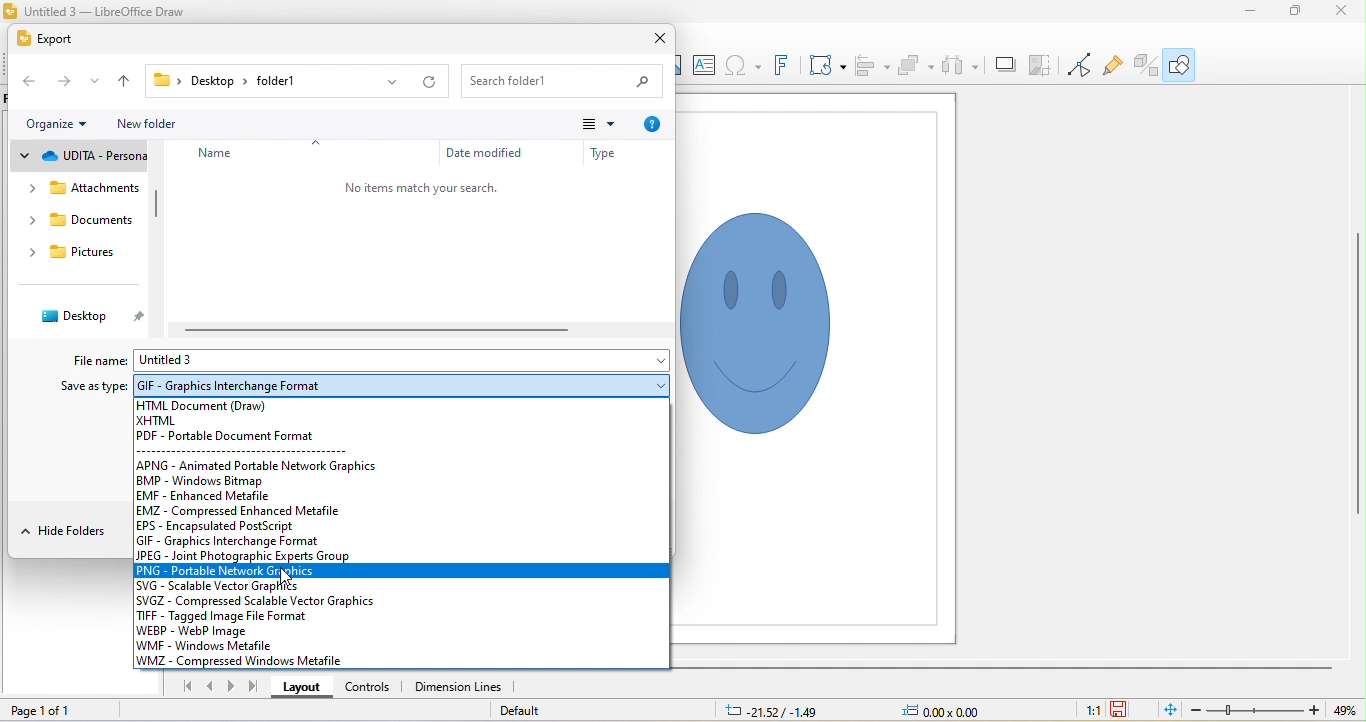 This screenshot has width=1366, height=722. What do you see at coordinates (317, 141) in the screenshot?
I see `drop down` at bounding box center [317, 141].